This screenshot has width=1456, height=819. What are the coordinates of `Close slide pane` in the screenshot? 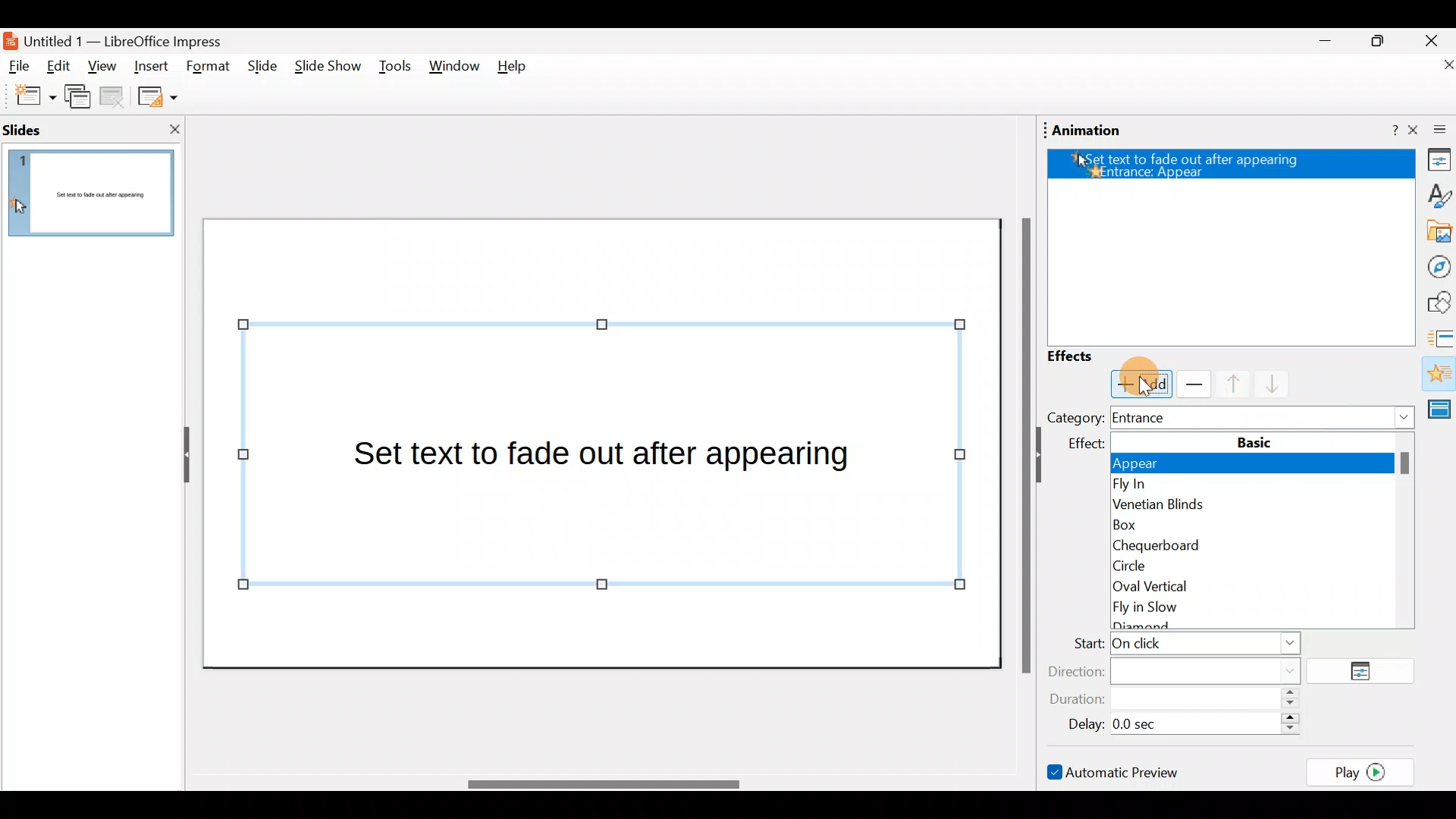 It's located at (170, 129).